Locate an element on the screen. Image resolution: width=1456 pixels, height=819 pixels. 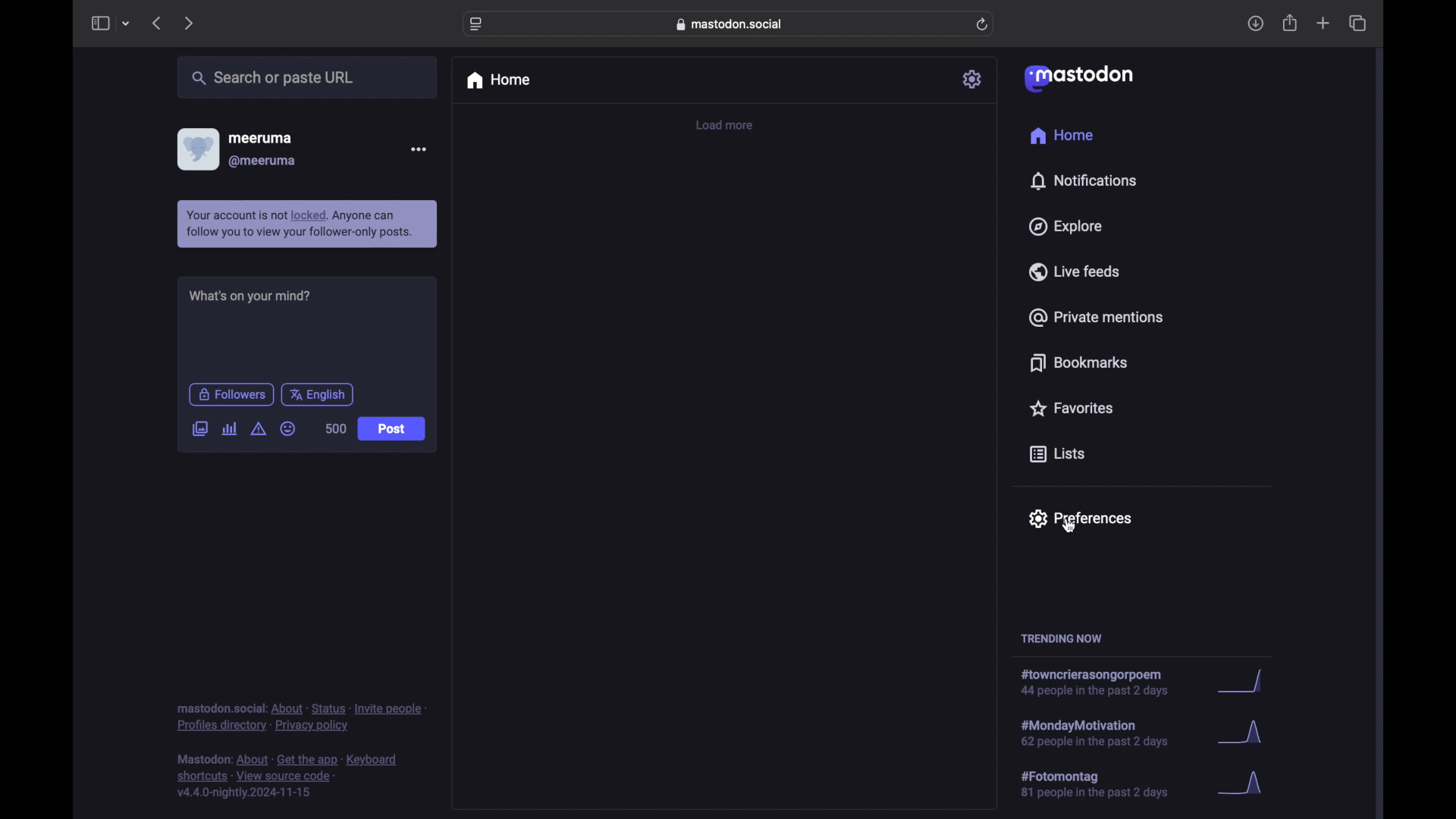
home is located at coordinates (497, 80).